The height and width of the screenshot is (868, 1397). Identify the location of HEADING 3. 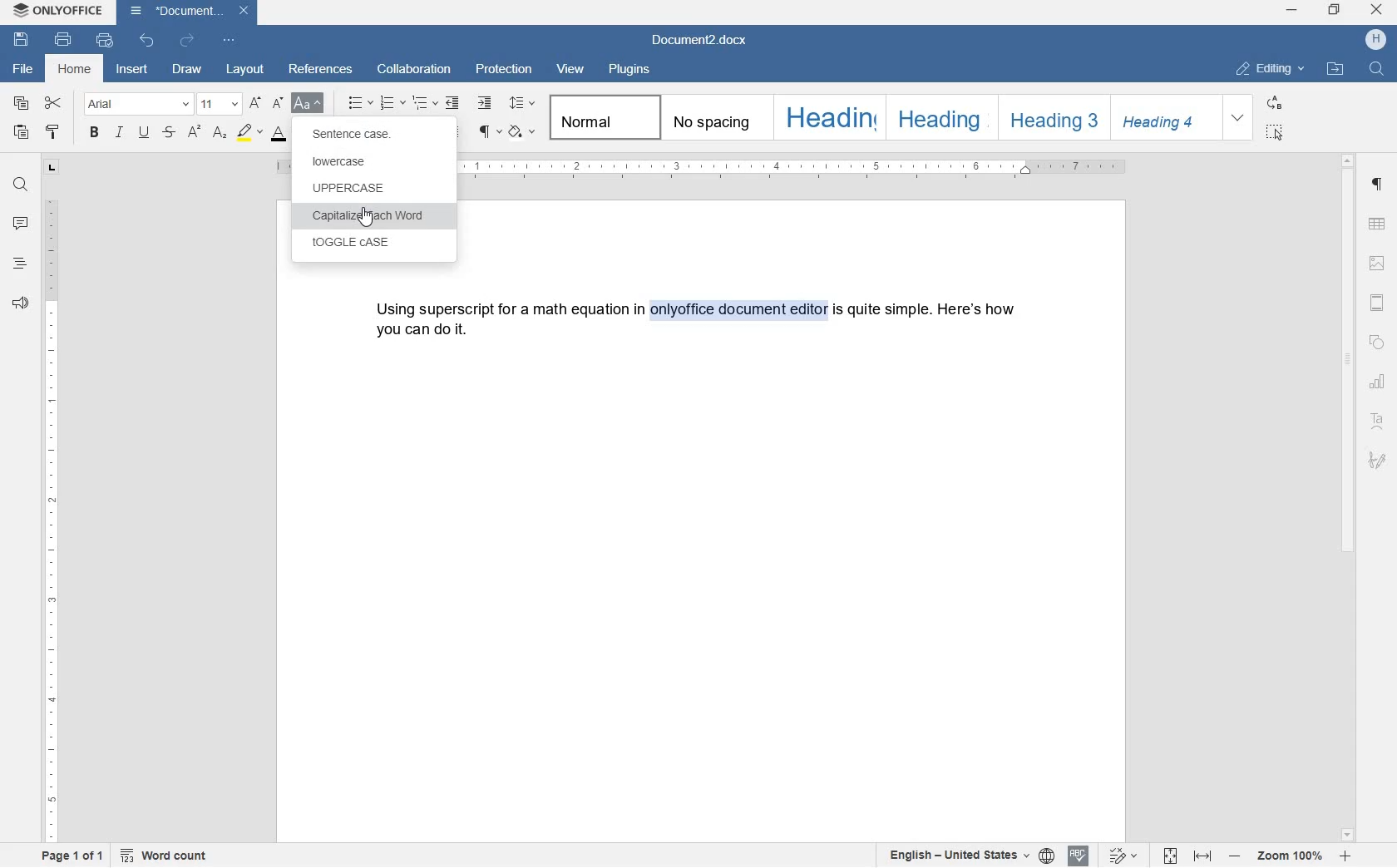
(1052, 116).